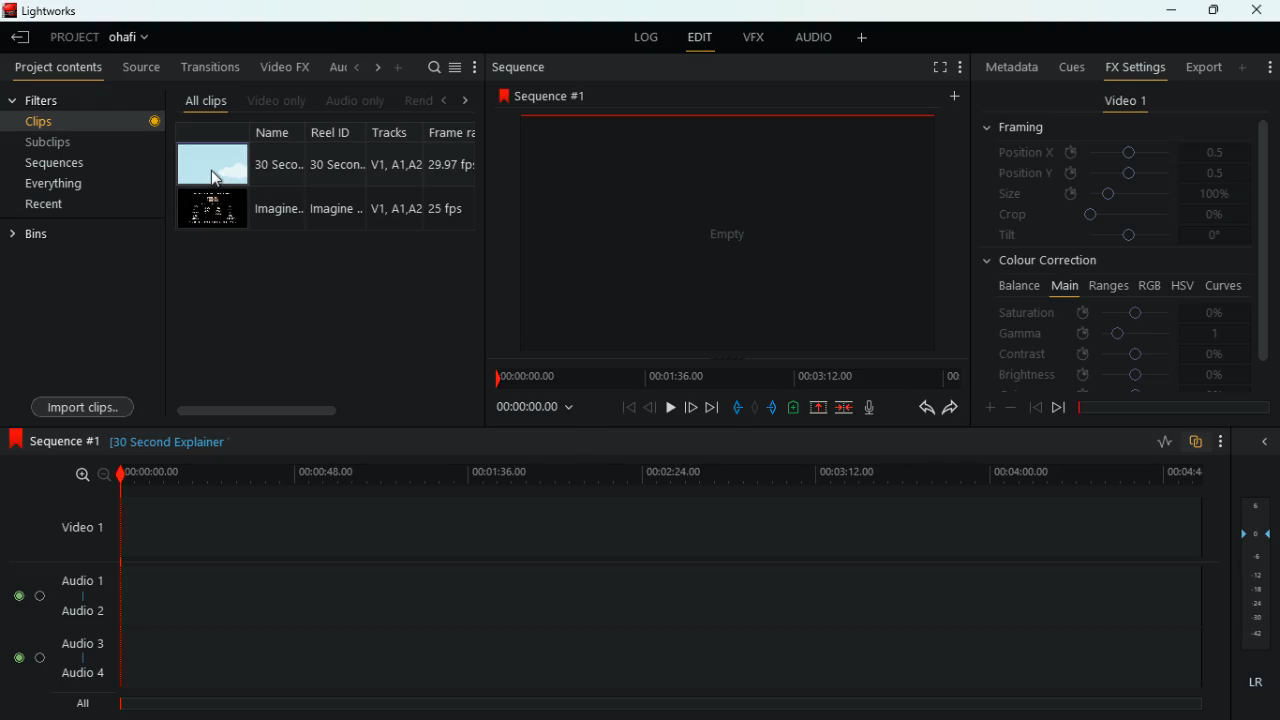 The image size is (1280, 720). What do you see at coordinates (215, 181) in the screenshot?
I see `cursor` at bounding box center [215, 181].